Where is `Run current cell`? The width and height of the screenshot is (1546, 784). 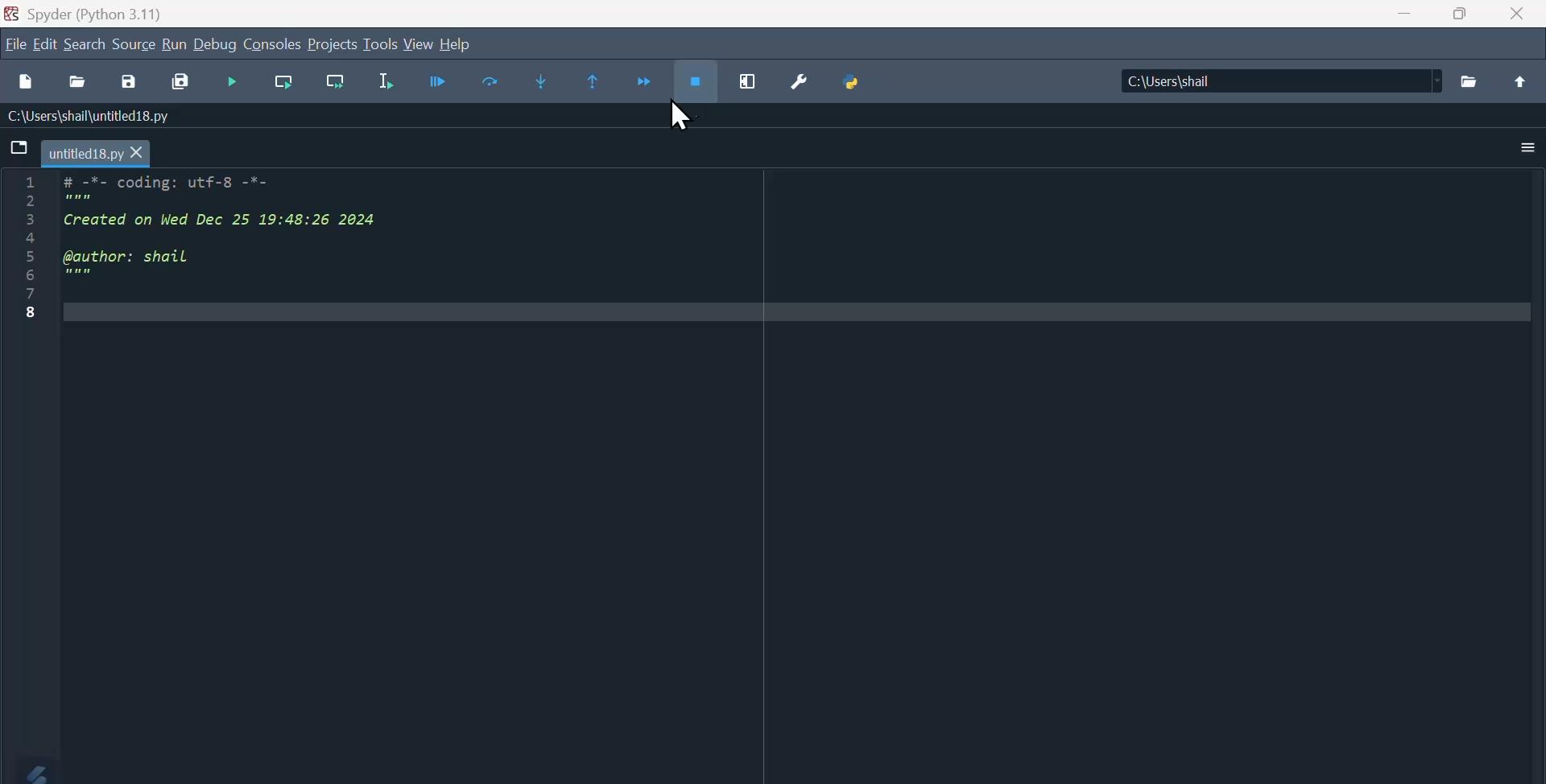 Run current cell is located at coordinates (288, 80).